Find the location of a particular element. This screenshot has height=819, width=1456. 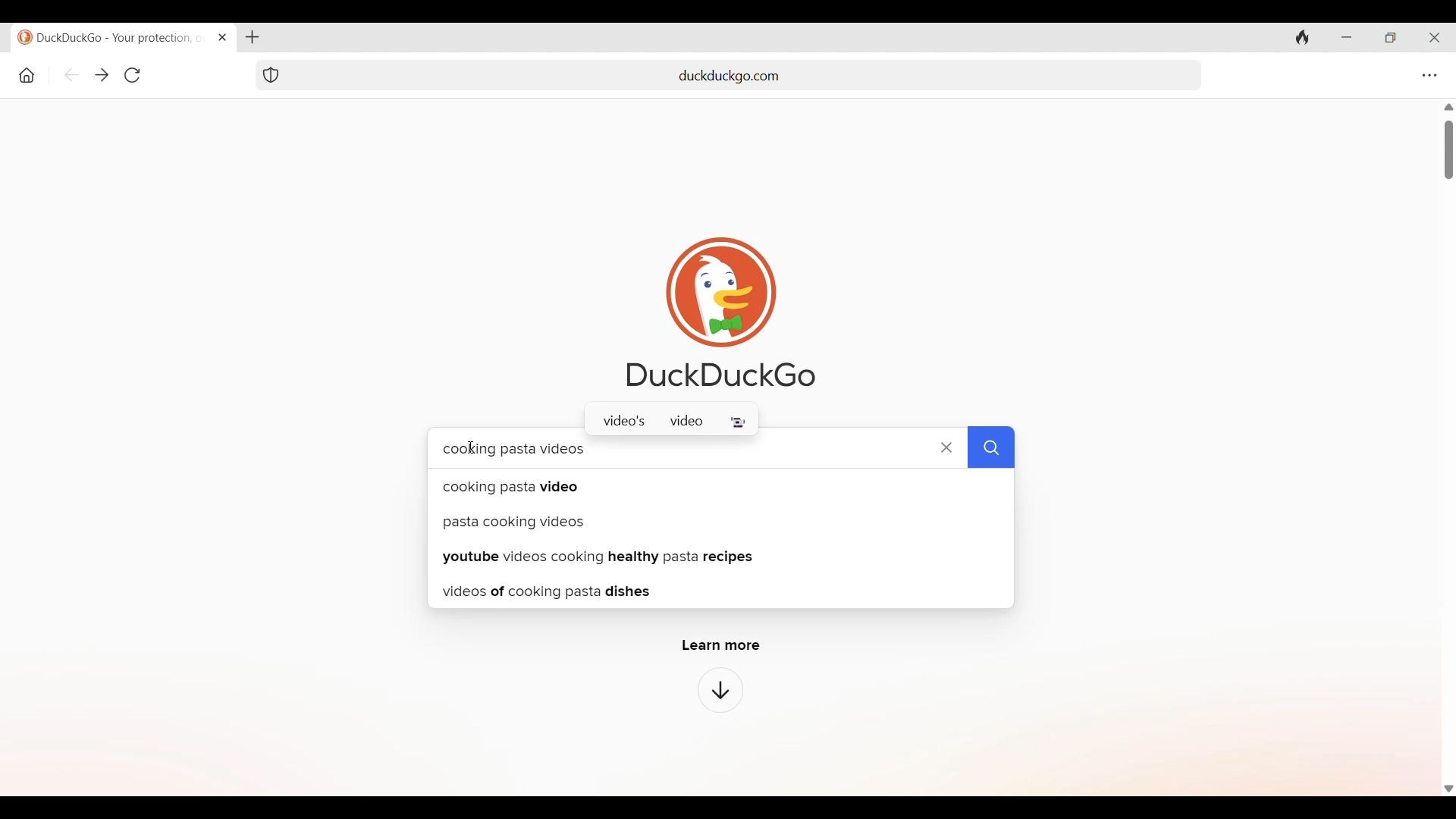

Home is located at coordinates (27, 75).